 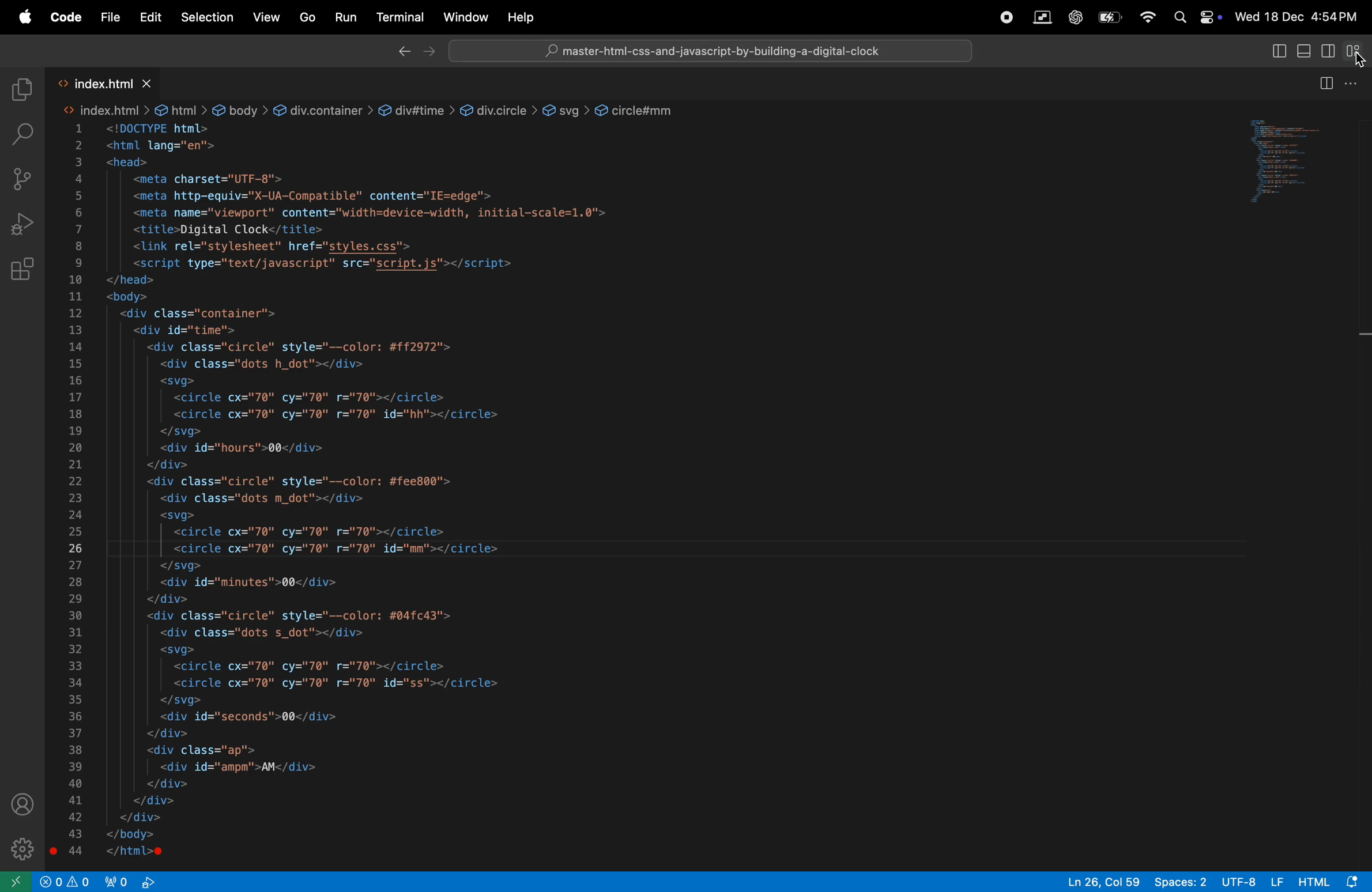 What do you see at coordinates (711, 50) in the screenshot?
I see `Search bar` at bounding box center [711, 50].